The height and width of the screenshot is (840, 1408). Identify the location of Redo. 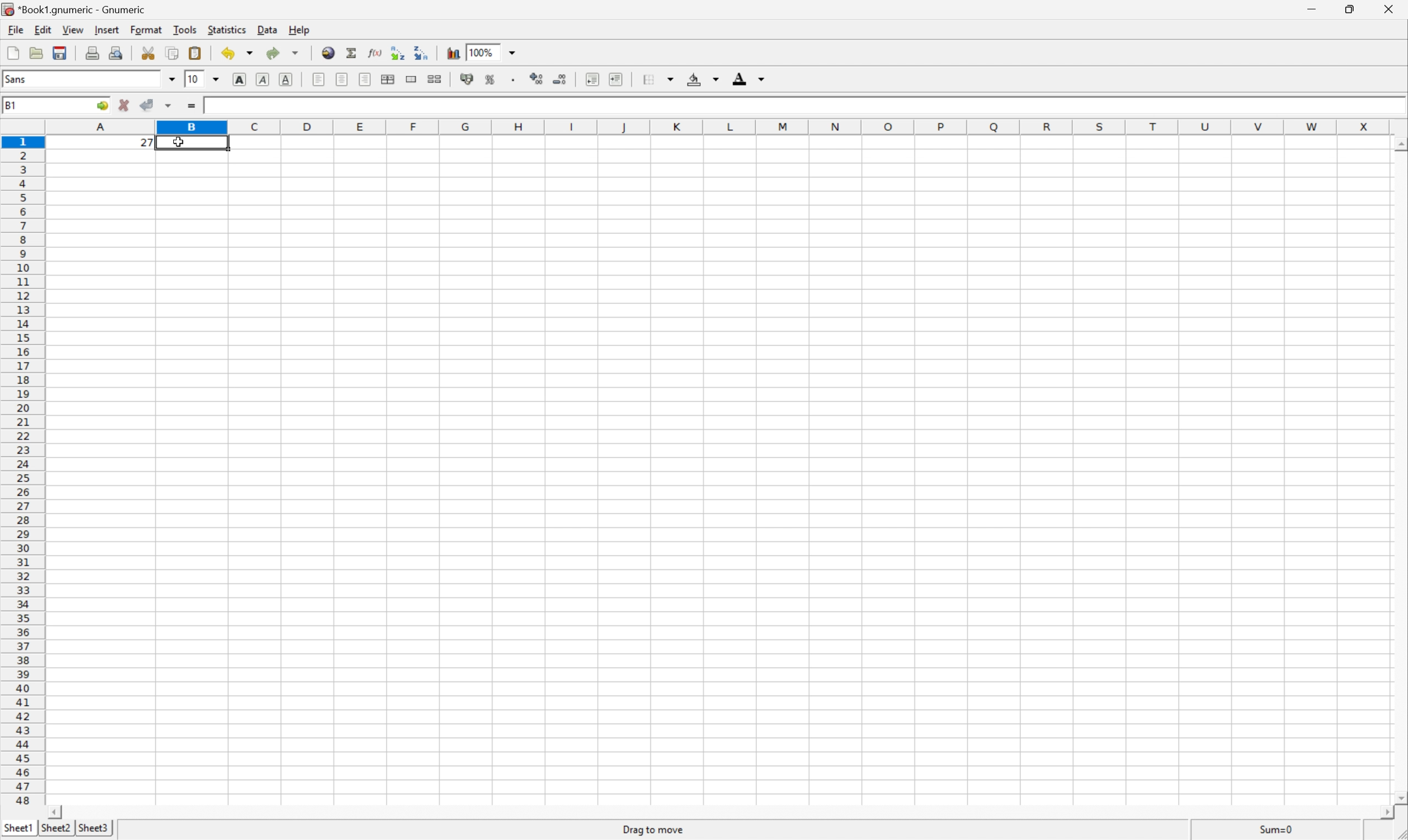
(281, 53).